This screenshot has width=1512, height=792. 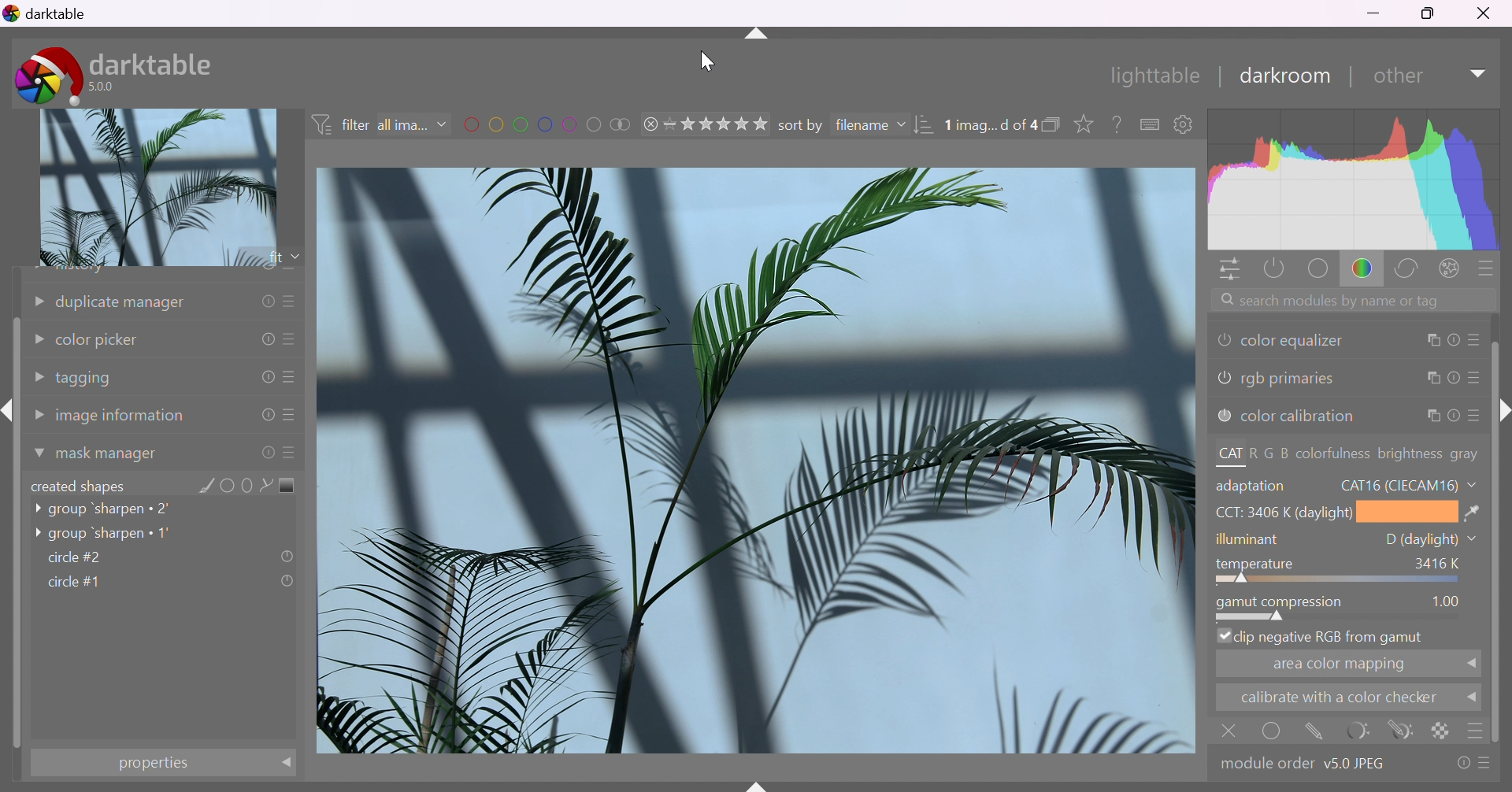 I want to click on color, so click(x=1361, y=268).